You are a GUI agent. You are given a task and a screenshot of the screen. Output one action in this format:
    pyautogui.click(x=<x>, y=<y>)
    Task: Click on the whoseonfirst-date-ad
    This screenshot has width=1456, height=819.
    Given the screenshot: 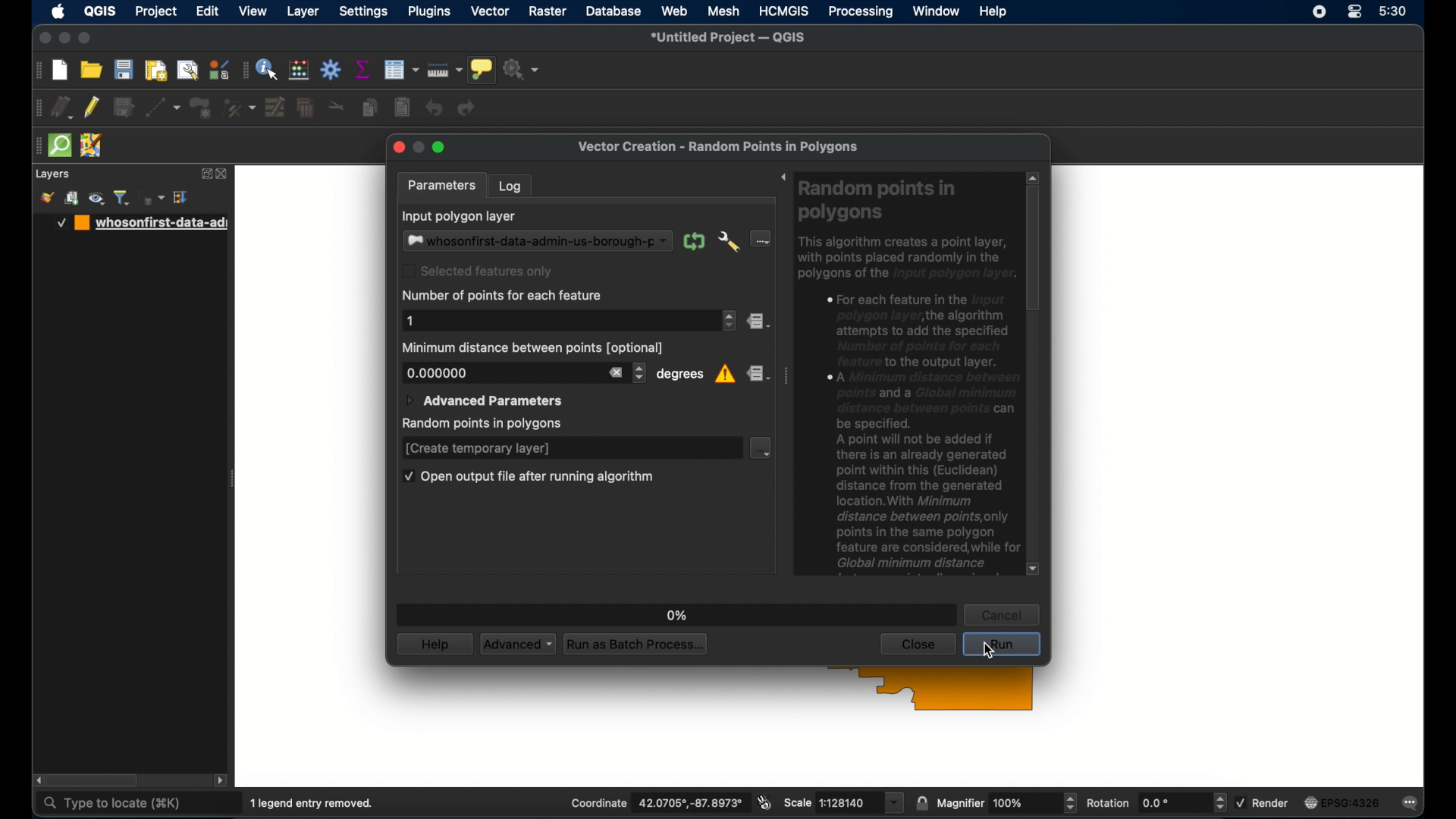 What is the action you would take?
    pyautogui.click(x=142, y=223)
    